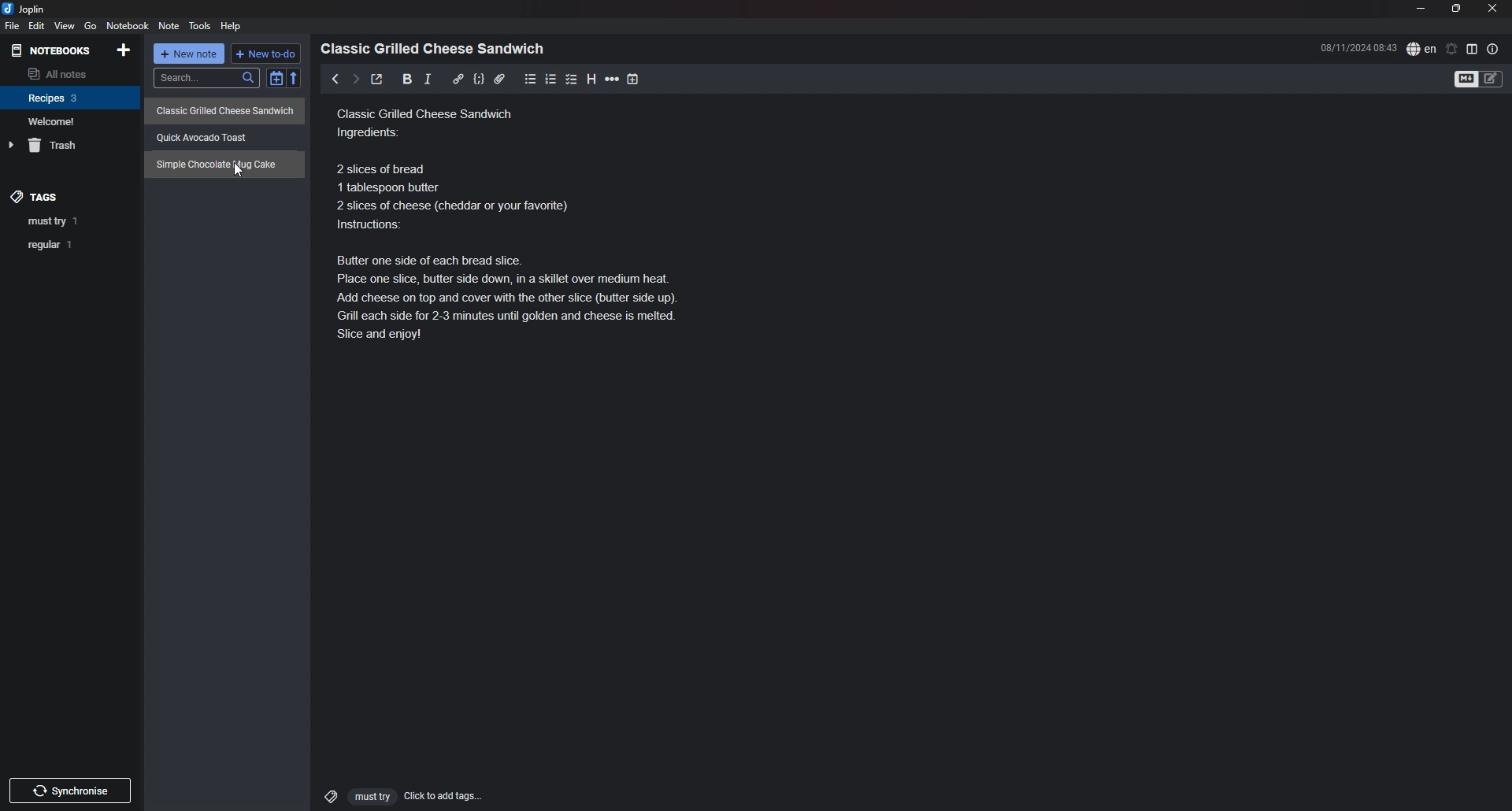  Describe the element at coordinates (210, 134) in the screenshot. I see `quick avocado toast` at that location.